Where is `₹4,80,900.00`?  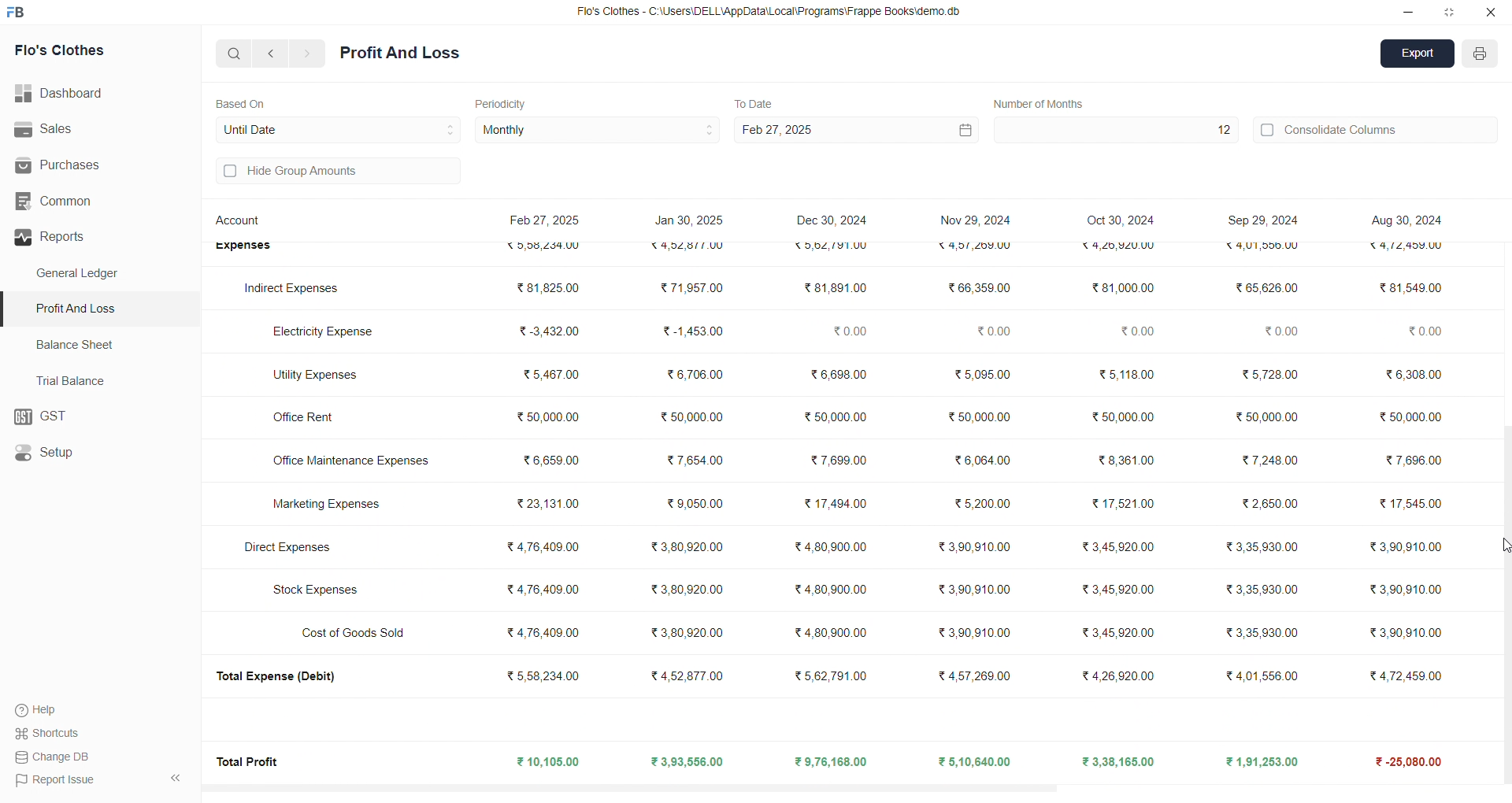
₹4,80,900.00 is located at coordinates (832, 633).